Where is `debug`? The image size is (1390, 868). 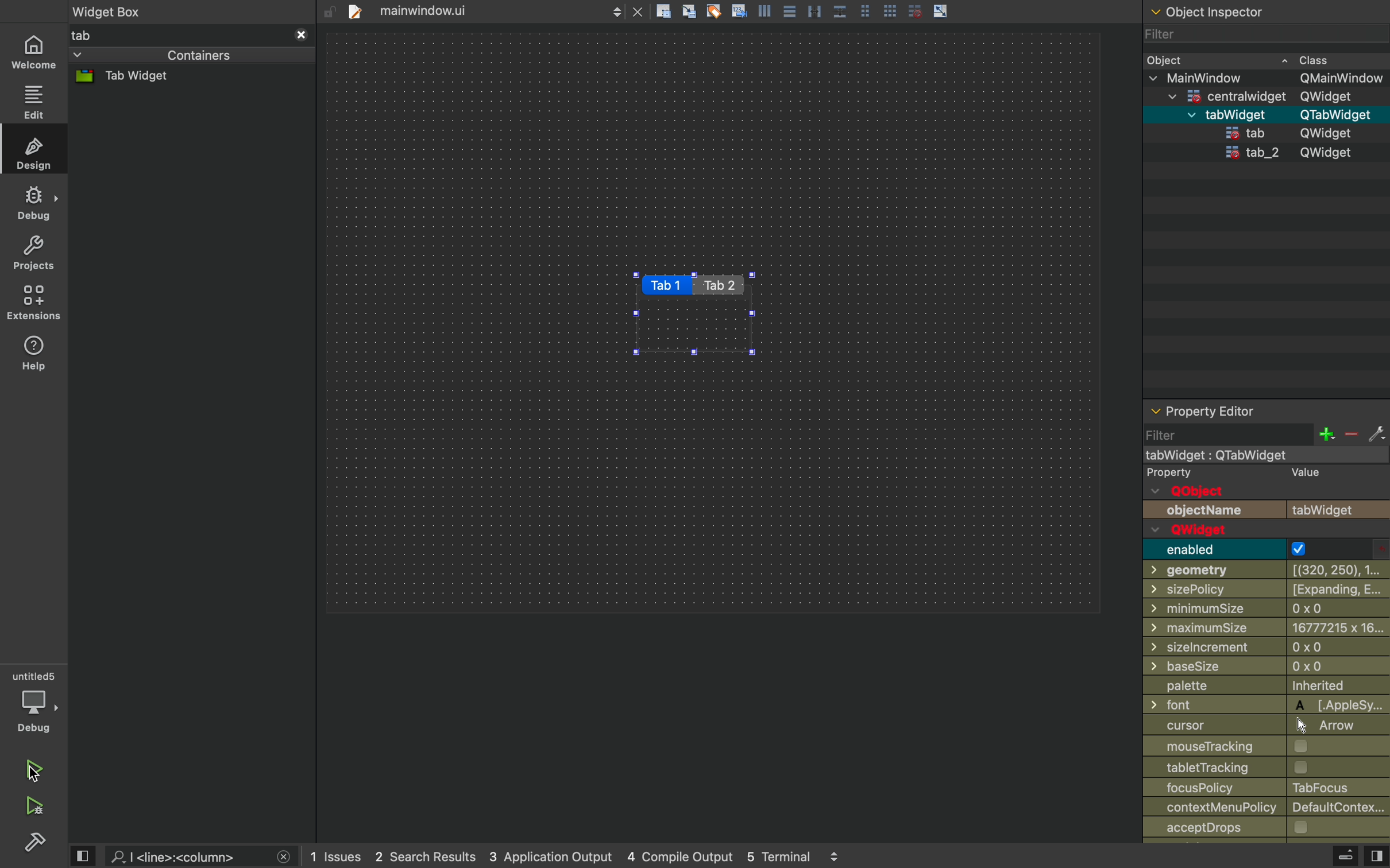 debug is located at coordinates (37, 702).